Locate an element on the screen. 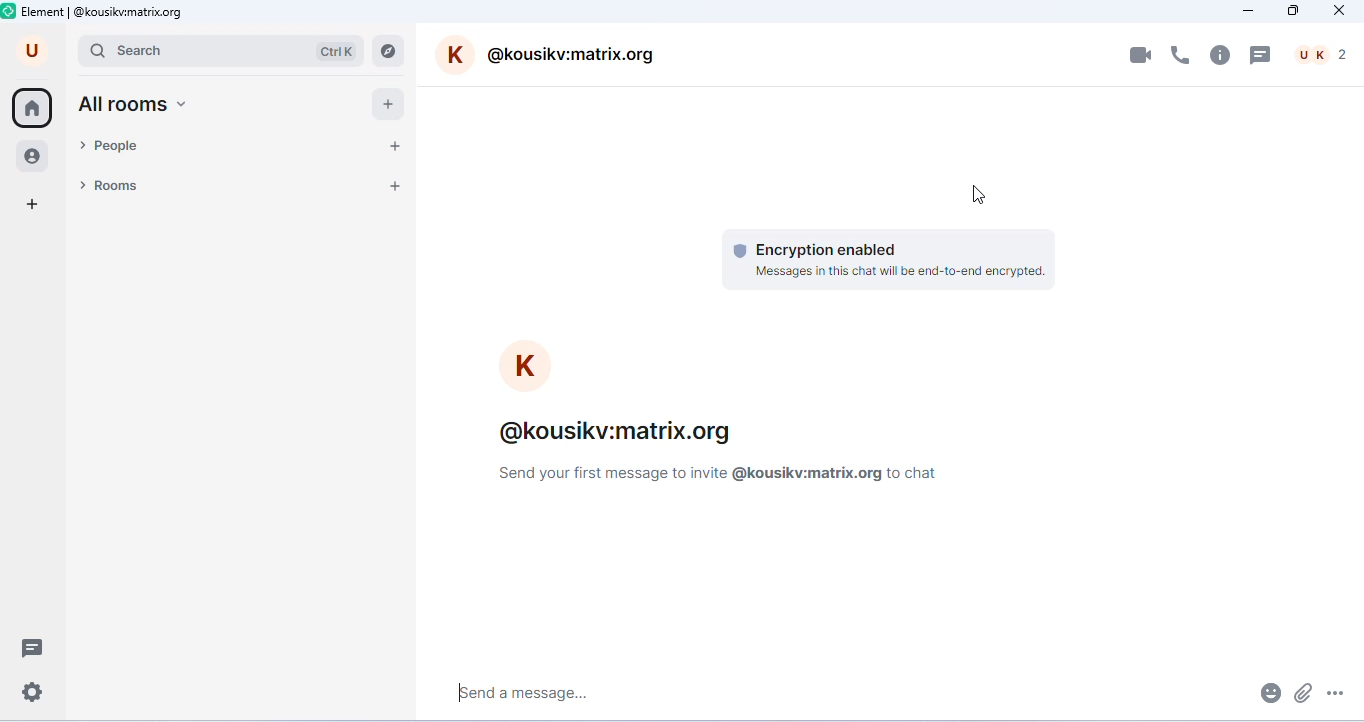  attachment is located at coordinates (1303, 690).